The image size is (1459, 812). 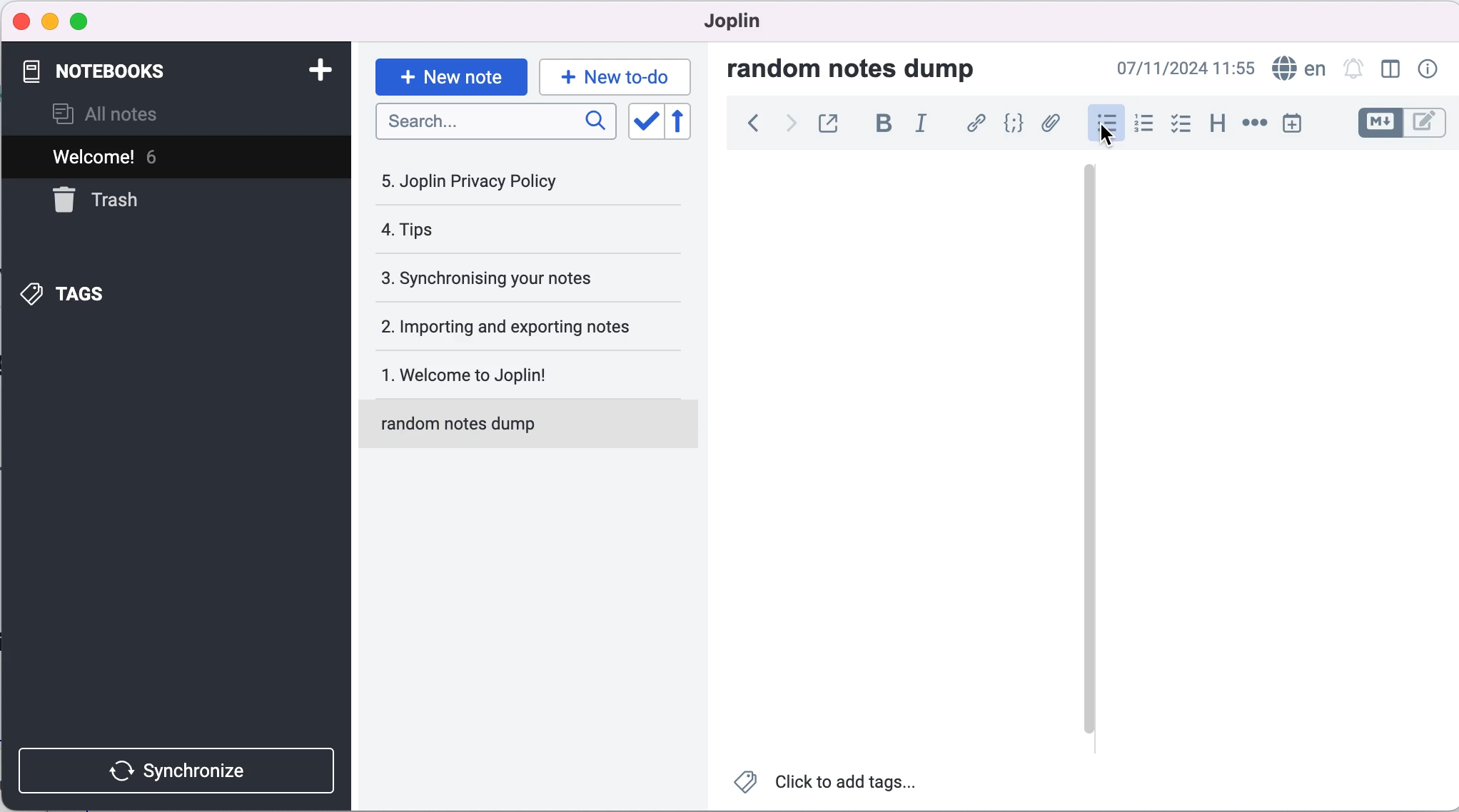 I want to click on toggle sort order field, so click(x=644, y=121).